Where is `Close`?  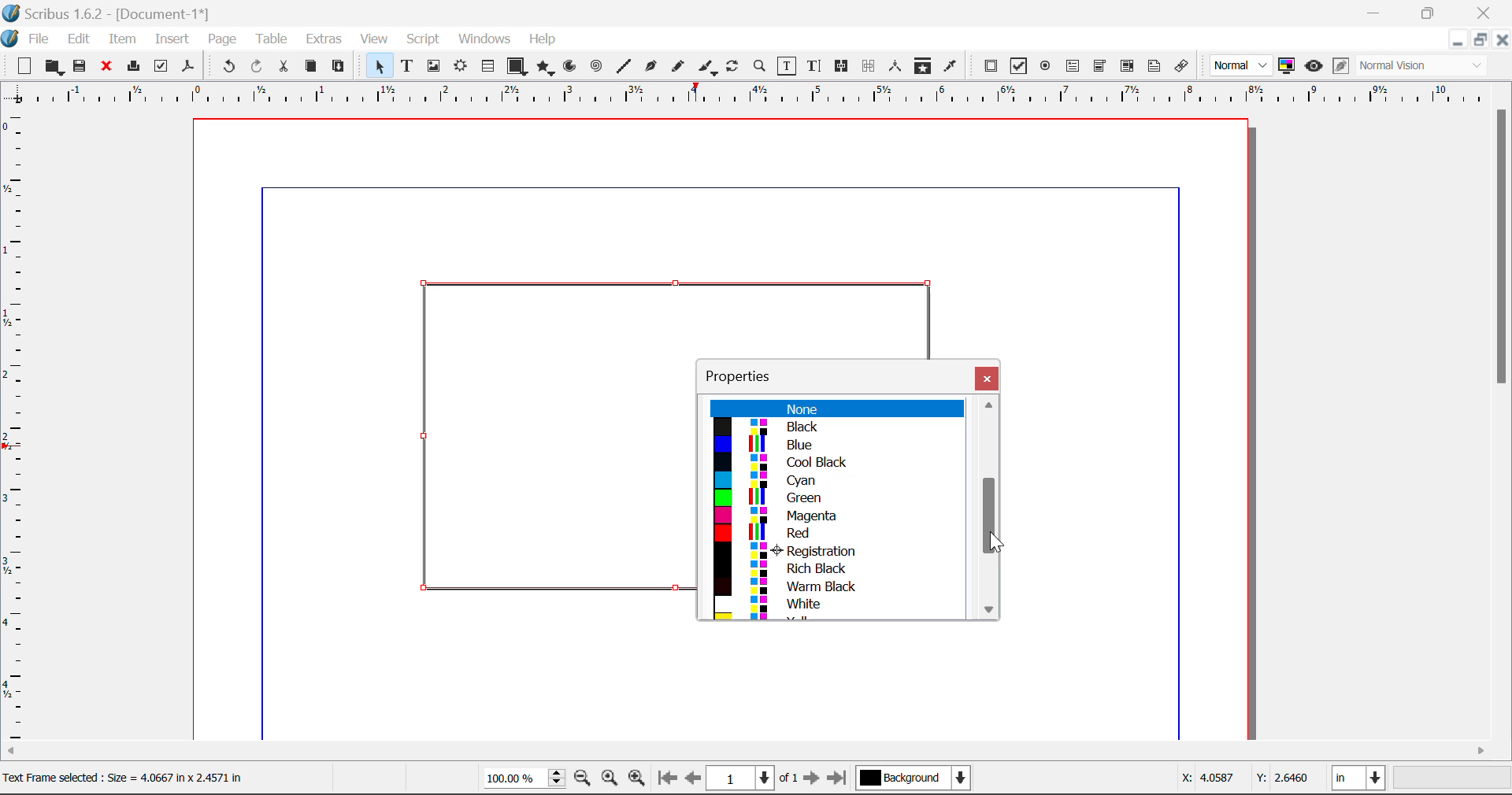 Close is located at coordinates (987, 378).